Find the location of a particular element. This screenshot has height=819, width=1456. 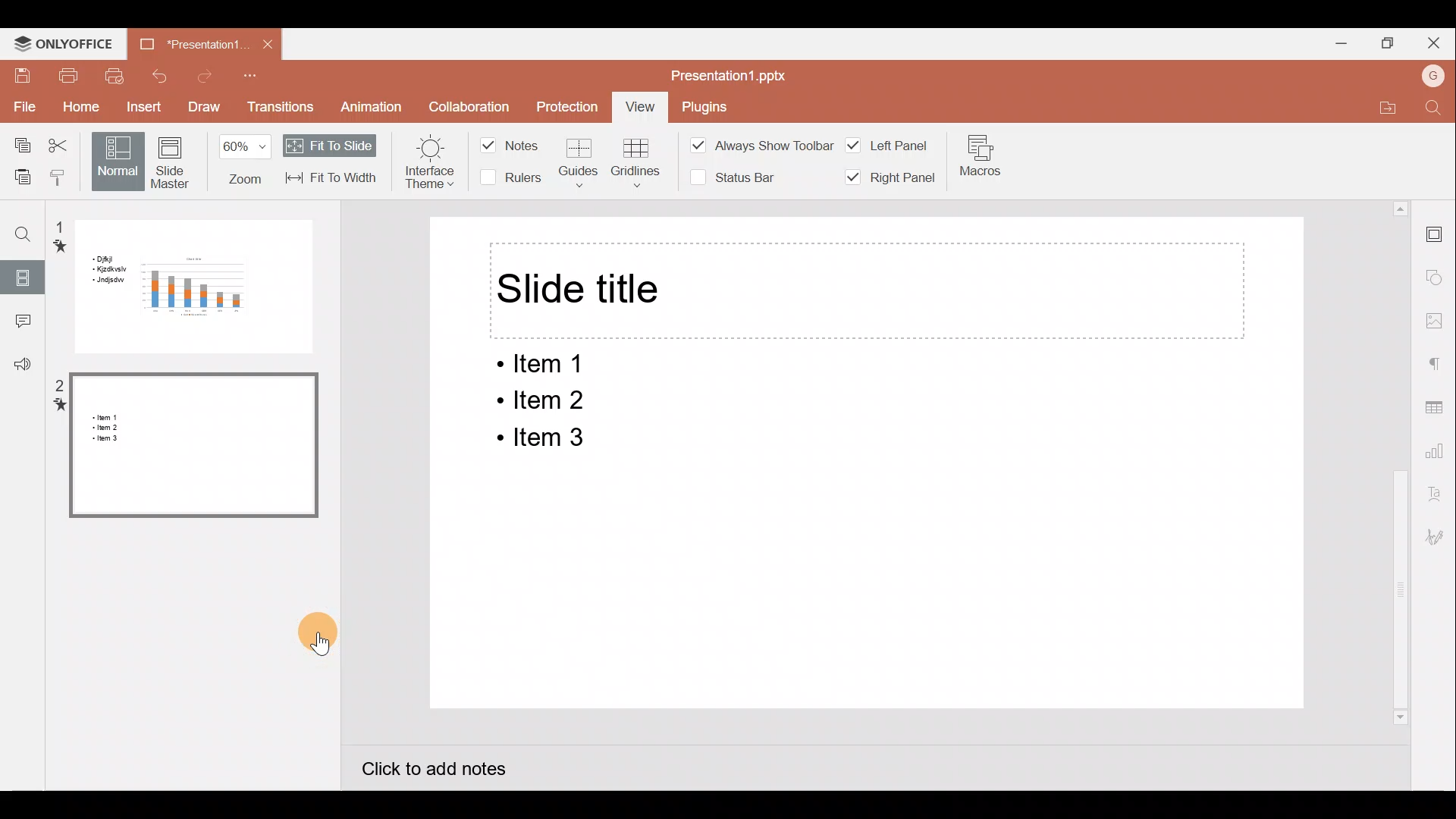

Presentation1. is located at coordinates (191, 46).